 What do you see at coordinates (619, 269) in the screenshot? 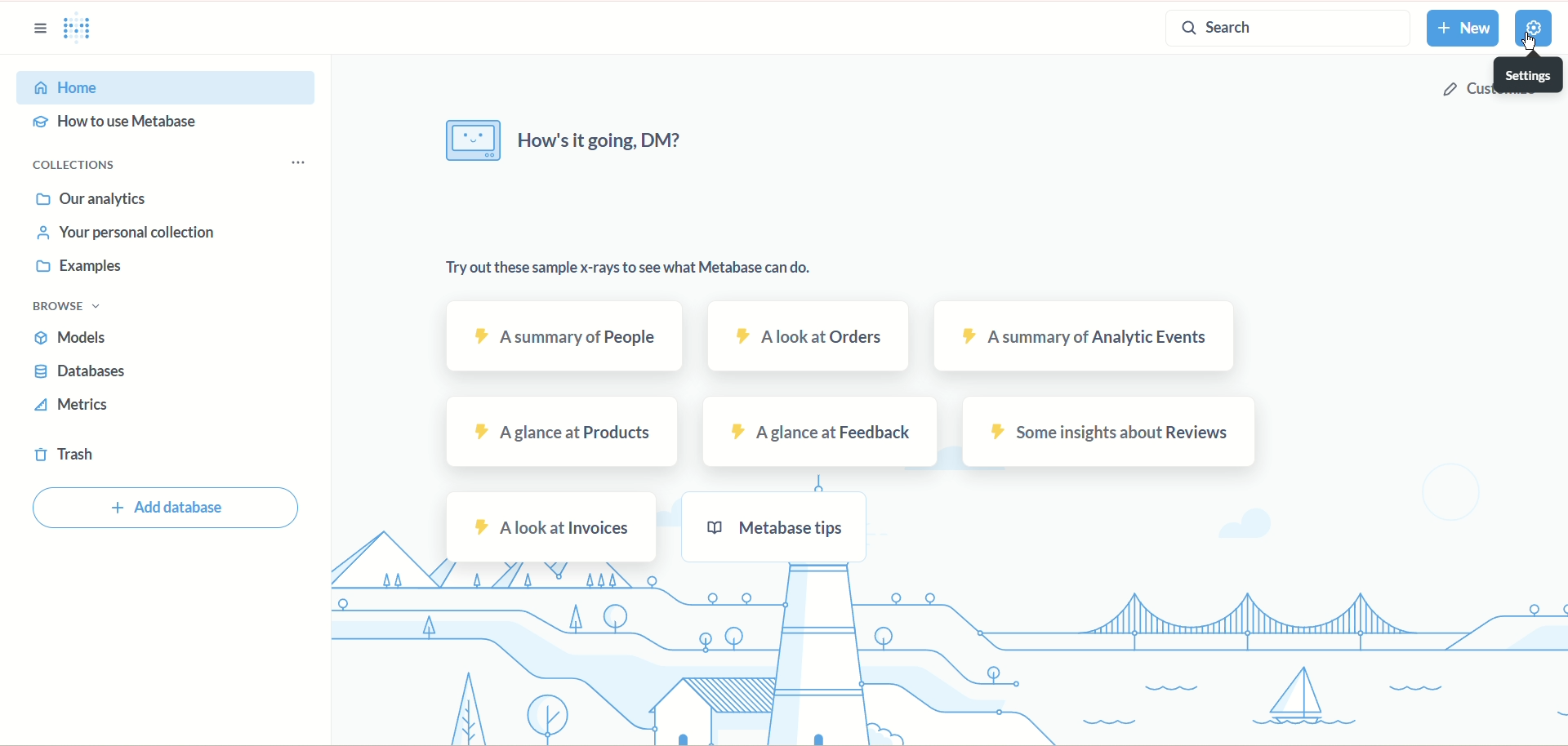
I see `try out these sample x-rays to see what metabase can do` at bounding box center [619, 269].